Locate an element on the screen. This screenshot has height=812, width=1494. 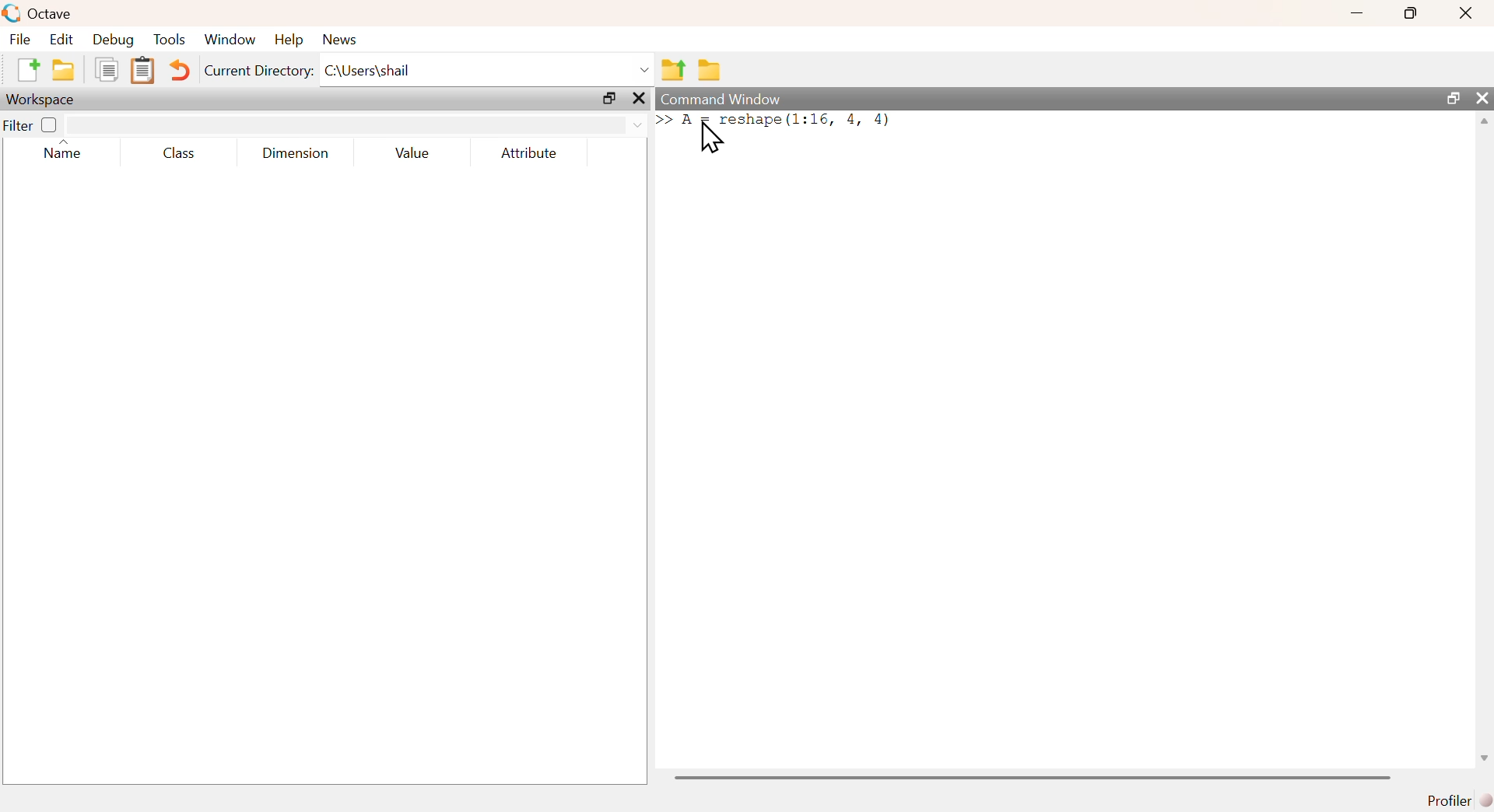
close is located at coordinates (1464, 15).